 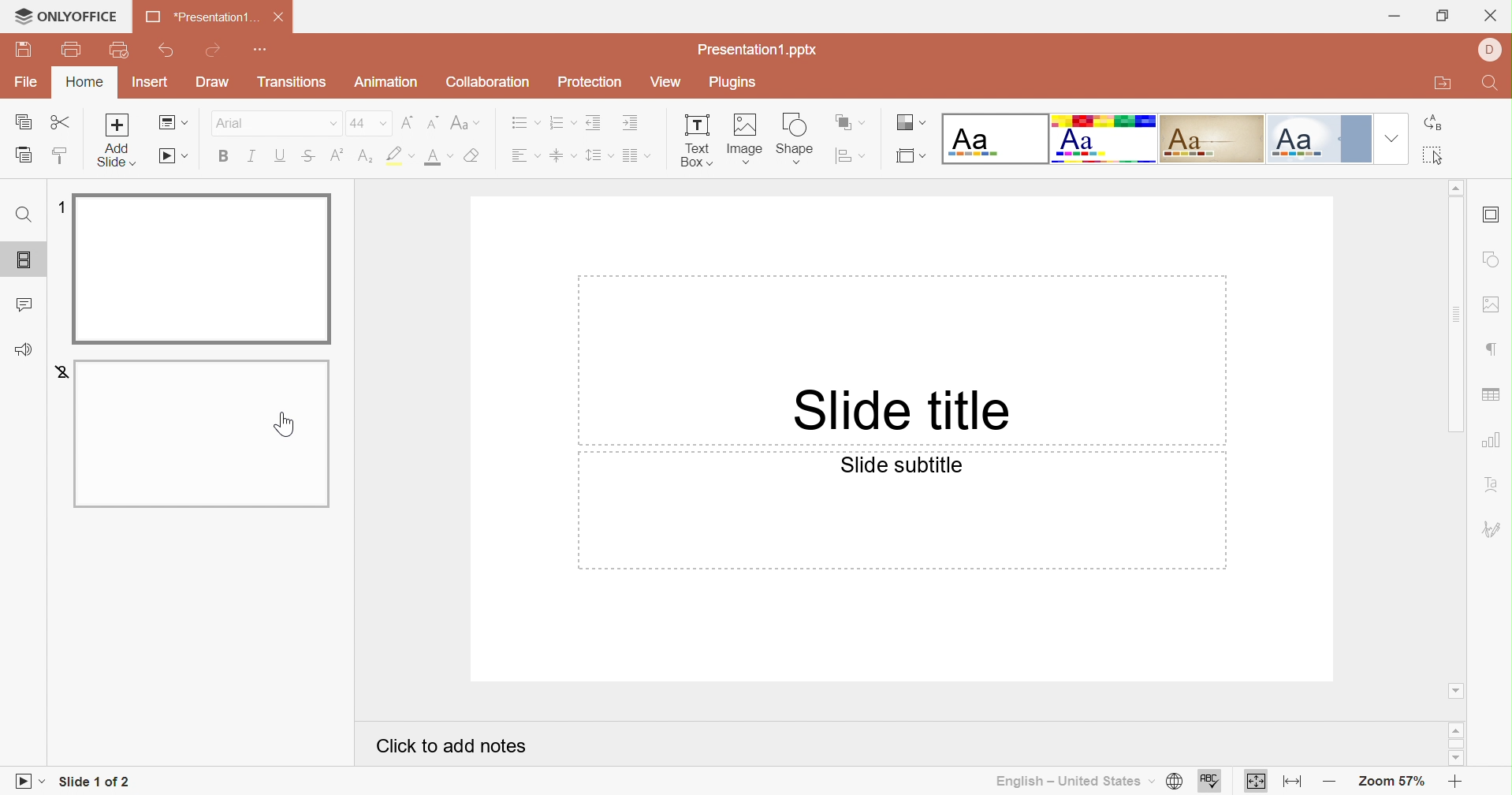 What do you see at coordinates (1208, 782) in the screenshot?
I see `Spell checking` at bounding box center [1208, 782].